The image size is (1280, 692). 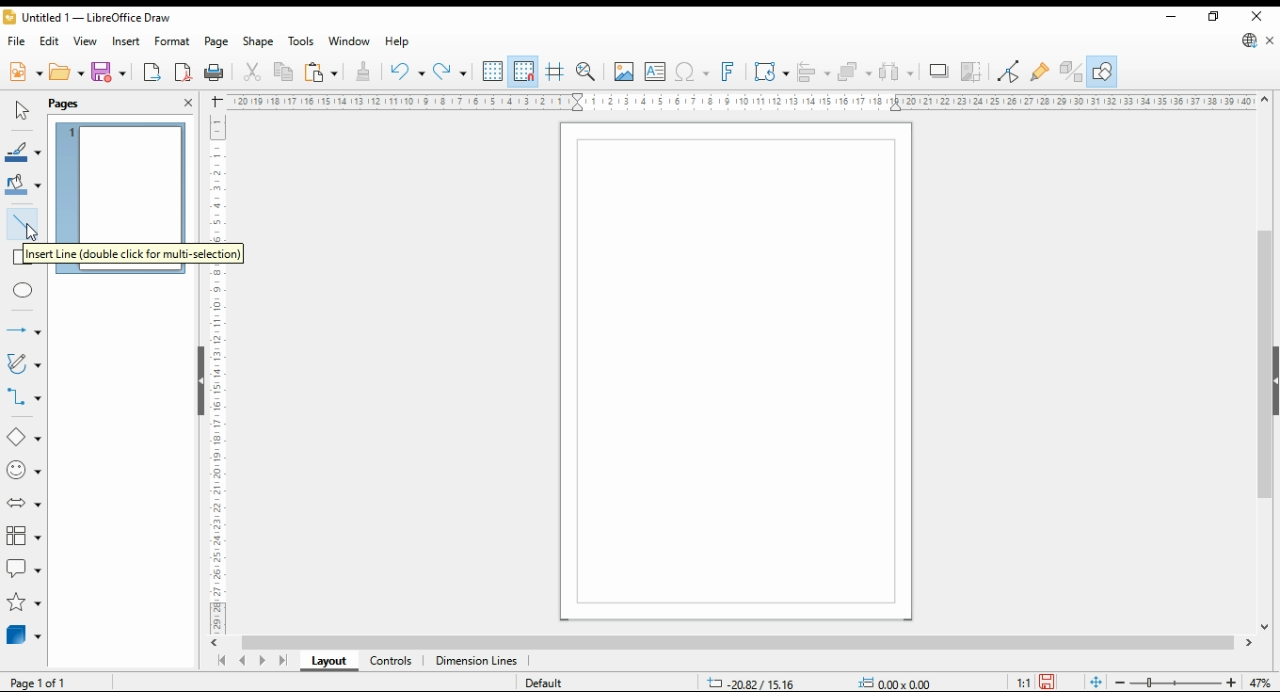 What do you see at coordinates (898, 72) in the screenshot?
I see `select at least three objects to distribute` at bounding box center [898, 72].